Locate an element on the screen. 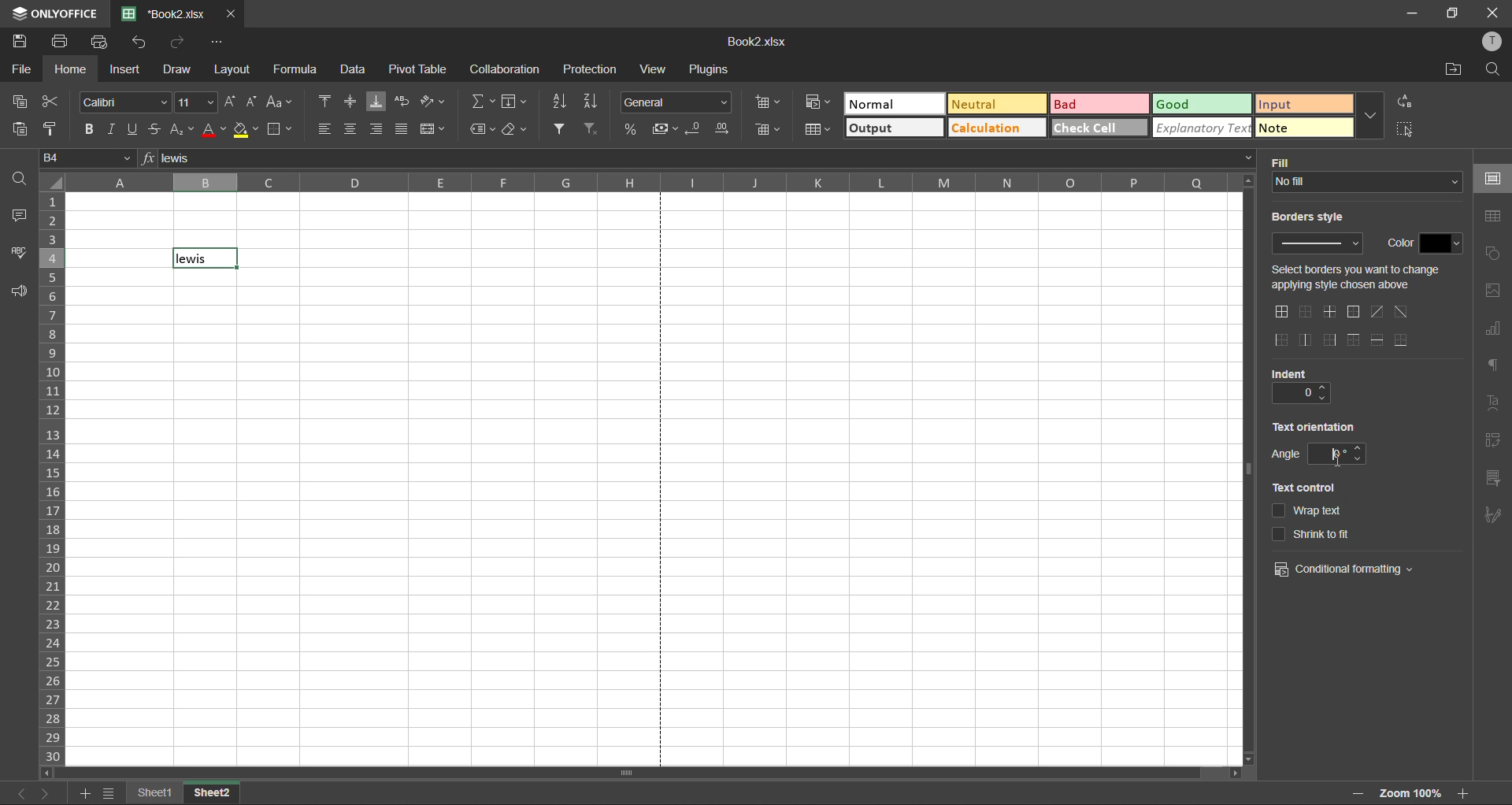 The height and width of the screenshot is (805, 1512). move right is located at coordinates (1230, 774).